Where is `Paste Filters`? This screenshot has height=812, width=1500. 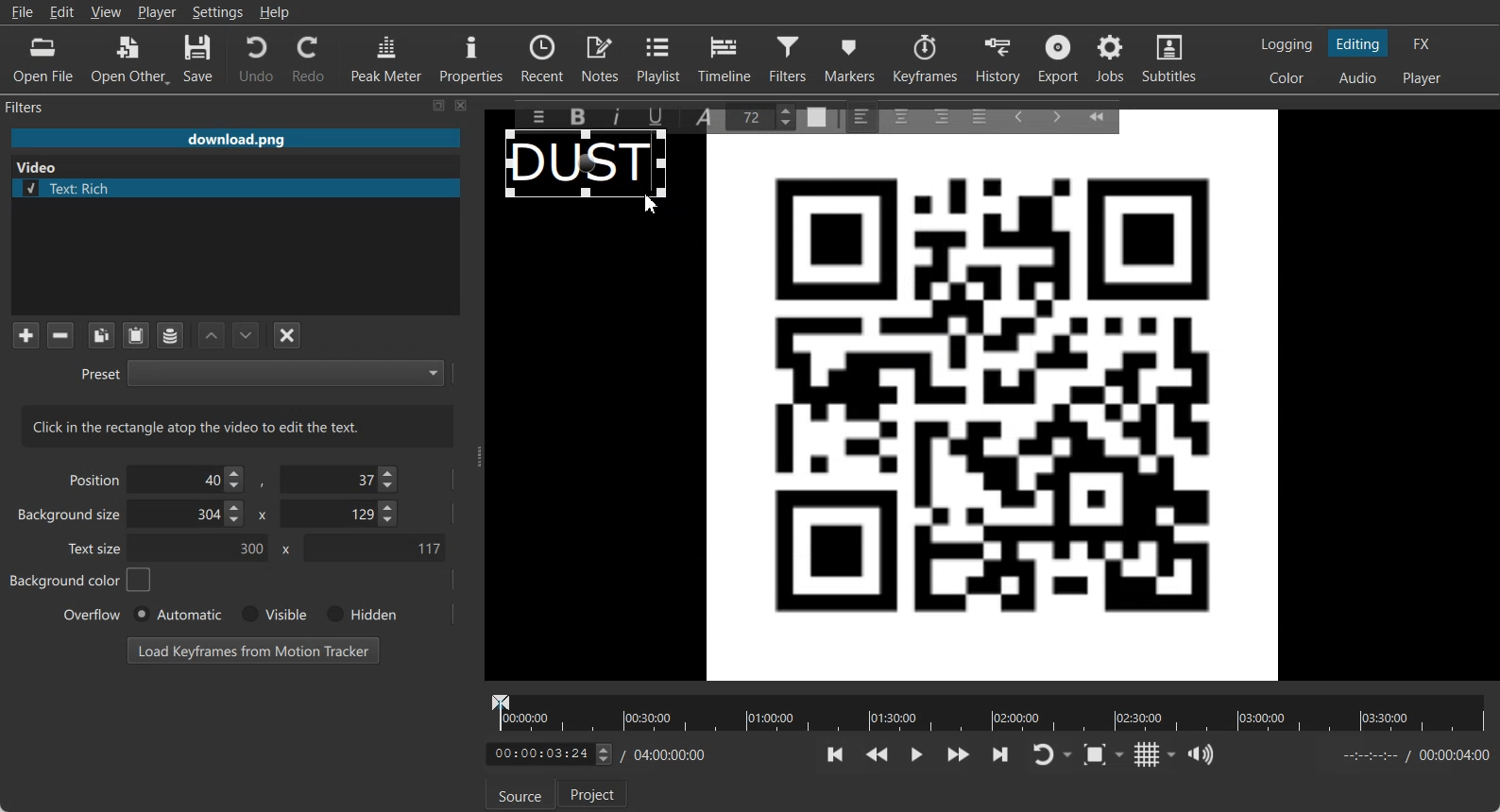 Paste Filters is located at coordinates (136, 336).